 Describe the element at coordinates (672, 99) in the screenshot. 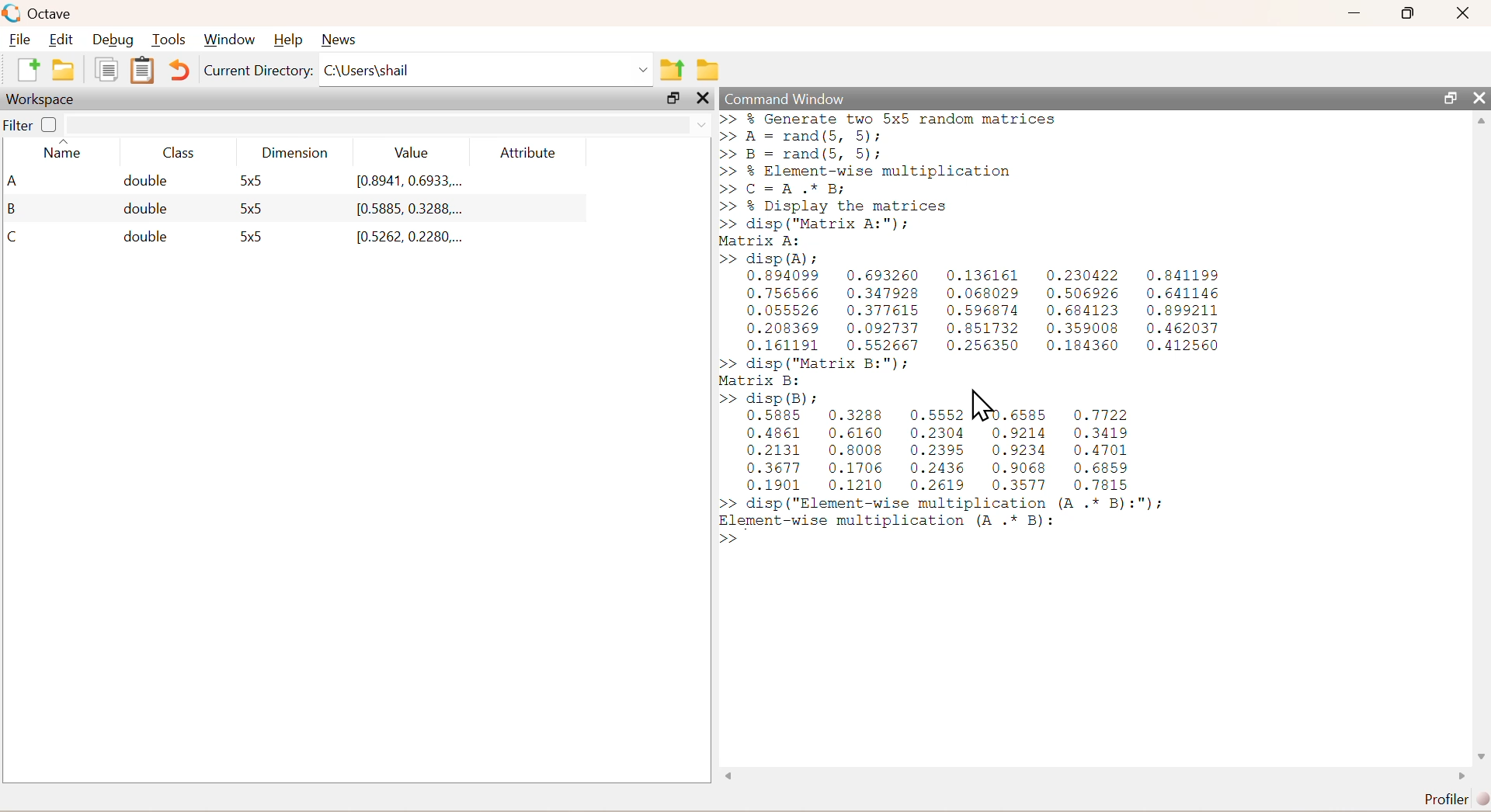

I see `Maximize/Restore` at that location.